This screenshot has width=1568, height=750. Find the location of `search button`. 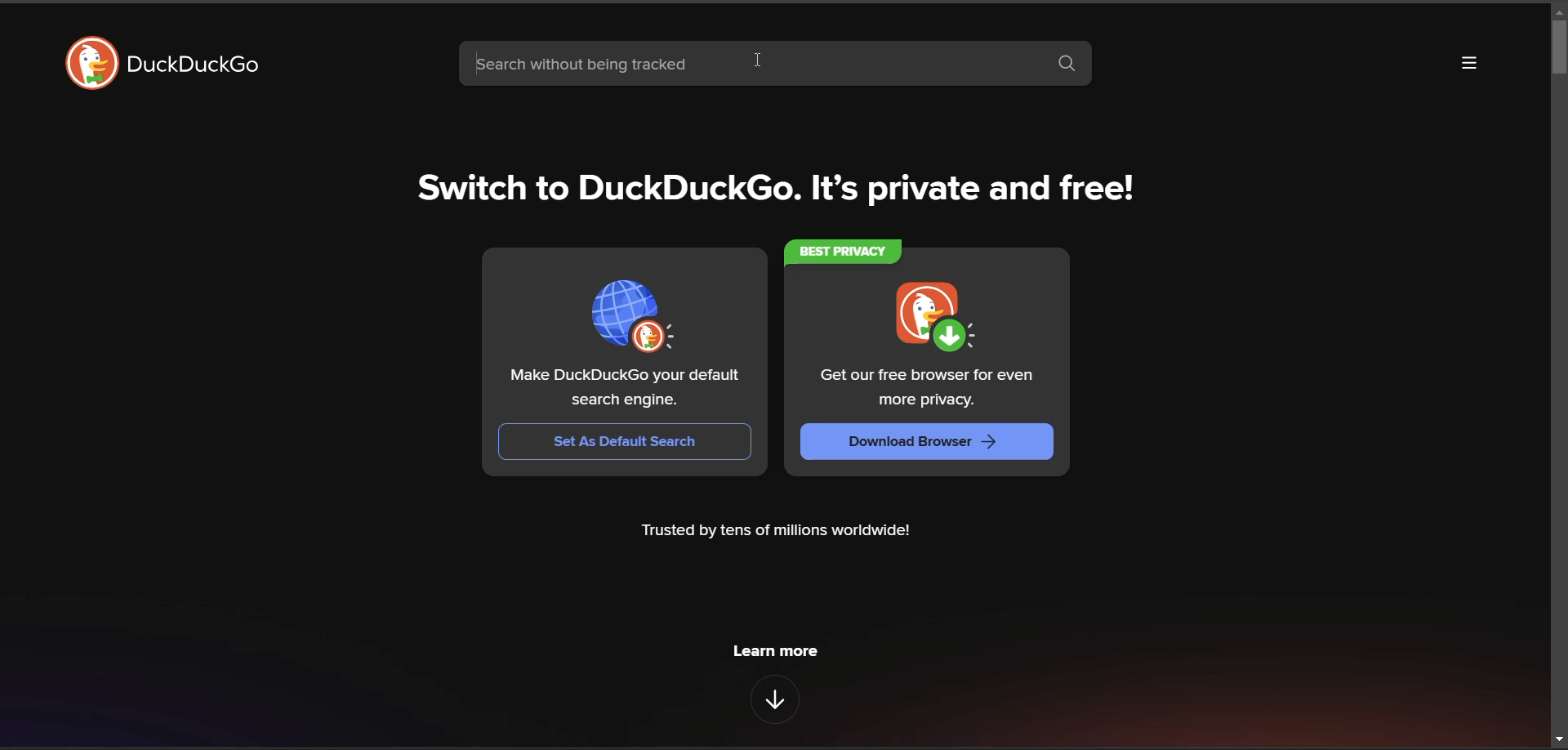

search button is located at coordinates (1068, 66).